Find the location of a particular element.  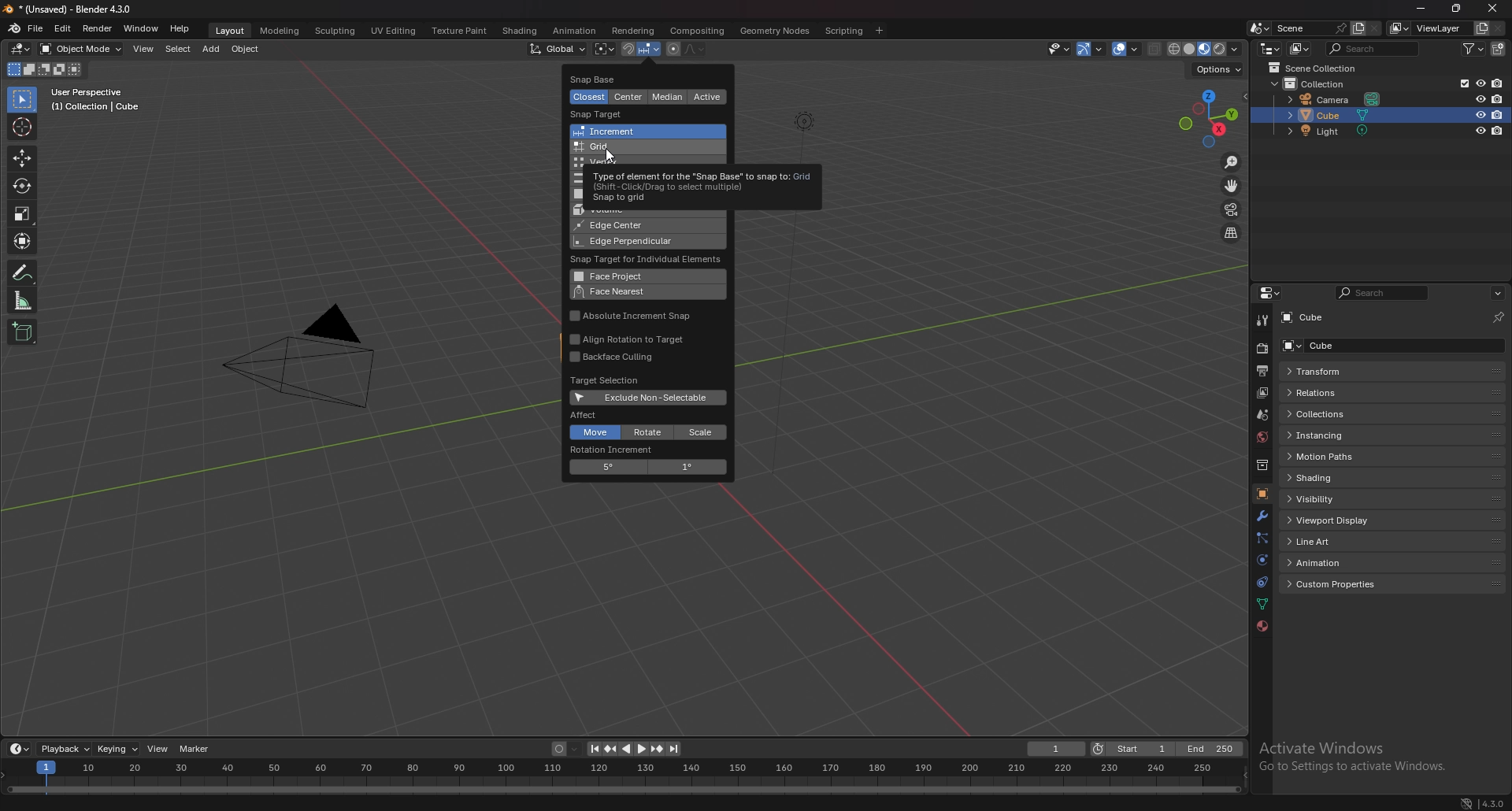

info is located at coordinates (96, 99).